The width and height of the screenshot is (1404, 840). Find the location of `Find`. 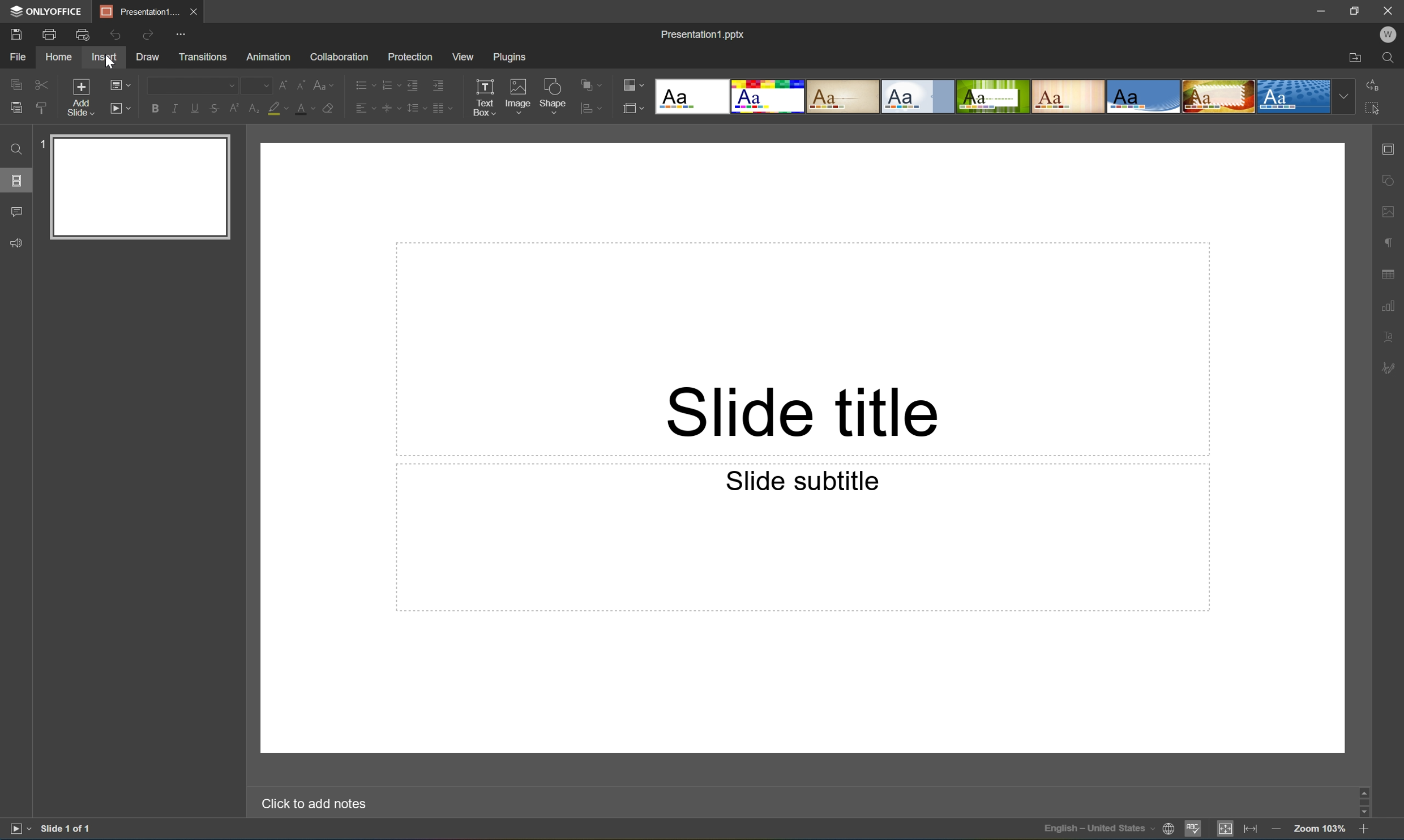

Find is located at coordinates (1391, 59).